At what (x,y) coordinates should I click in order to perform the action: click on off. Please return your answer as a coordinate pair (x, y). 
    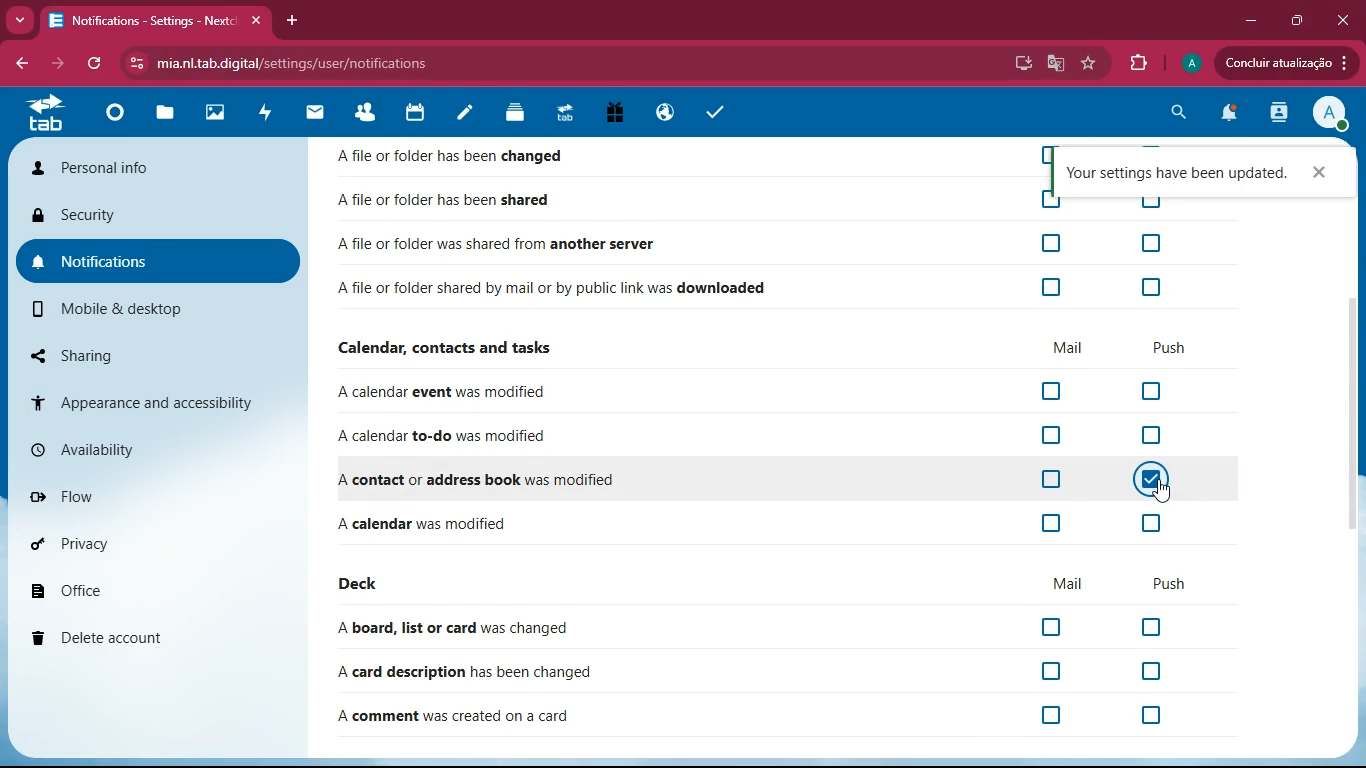
    Looking at the image, I should click on (1057, 715).